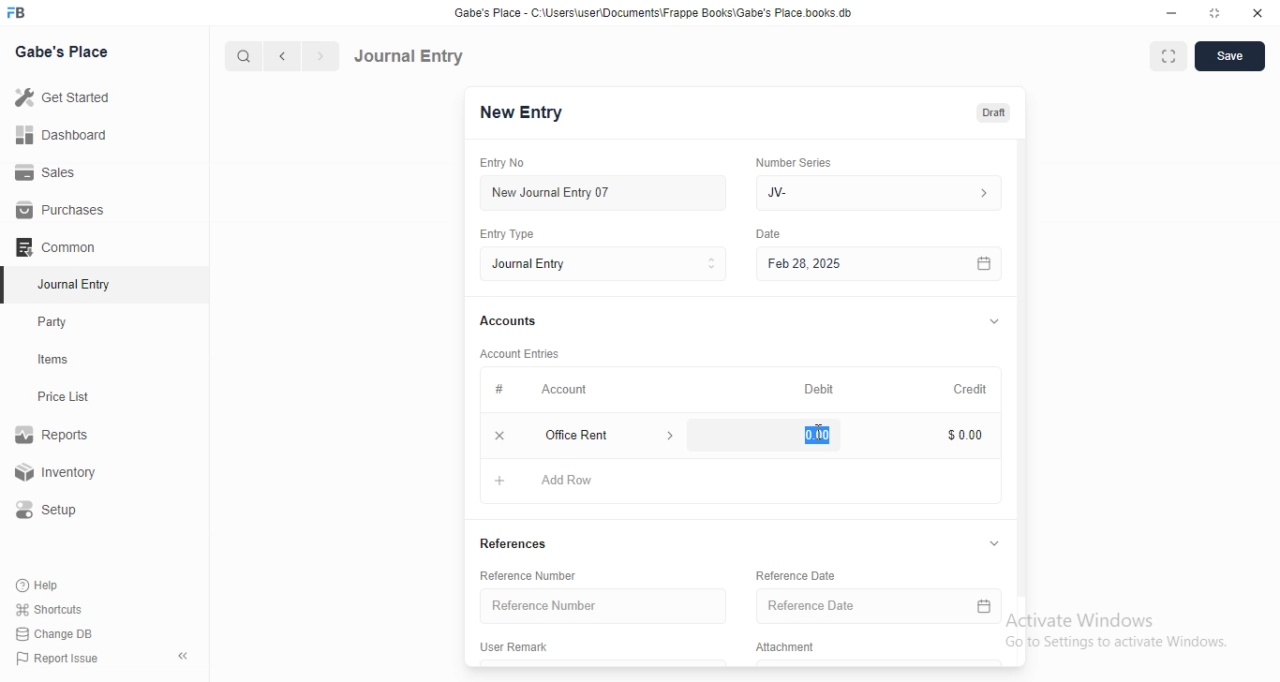 Image resolution: width=1280 pixels, height=682 pixels. What do you see at coordinates (770, 233) in the screenshot?
I see `Date` at bounding box center [770, 233].